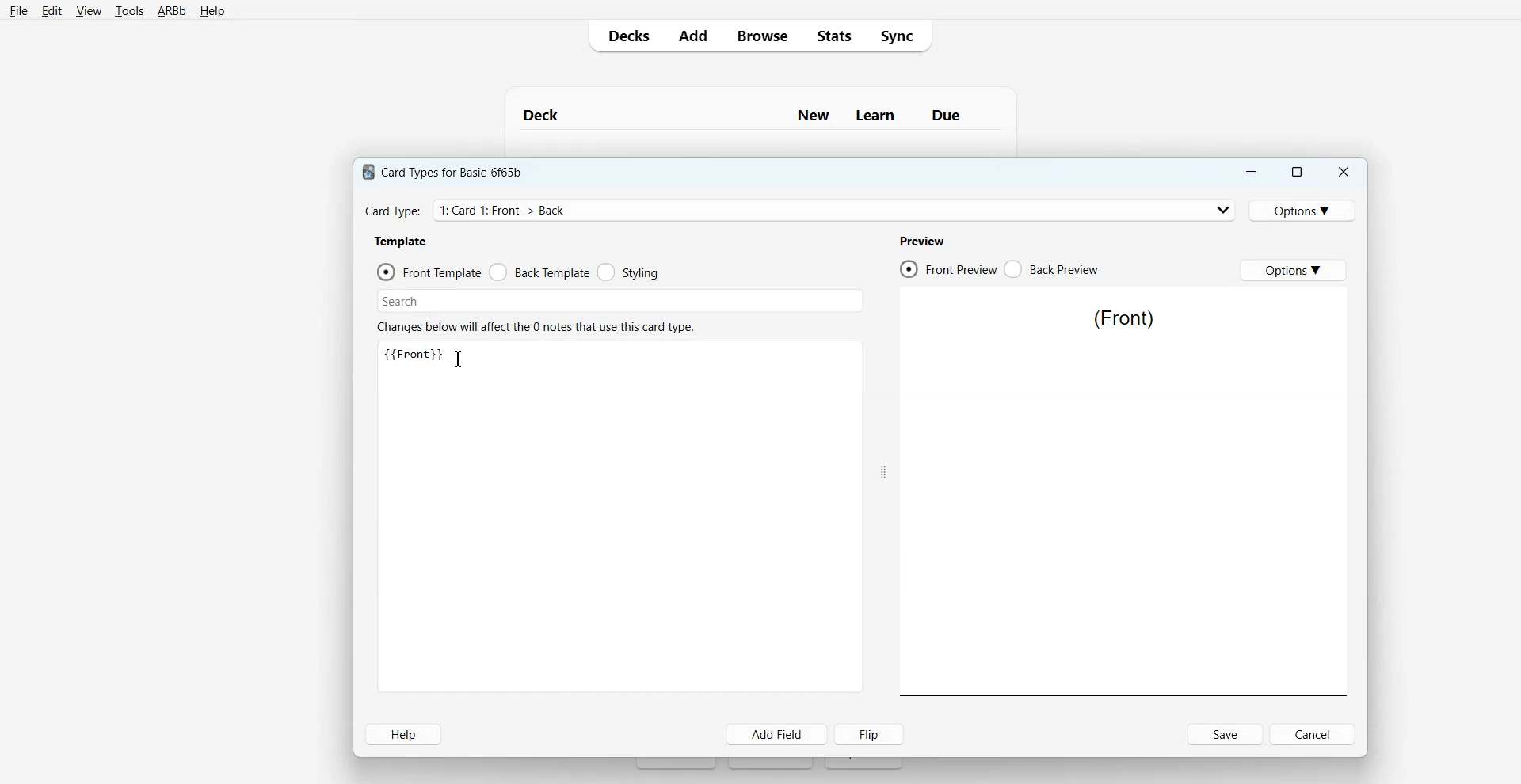 This screenshot has width=1521, height=784. What do you see at coordinates (448, 169) in the screenshot?
I see `Text 1` at bounding box center [448, 169].